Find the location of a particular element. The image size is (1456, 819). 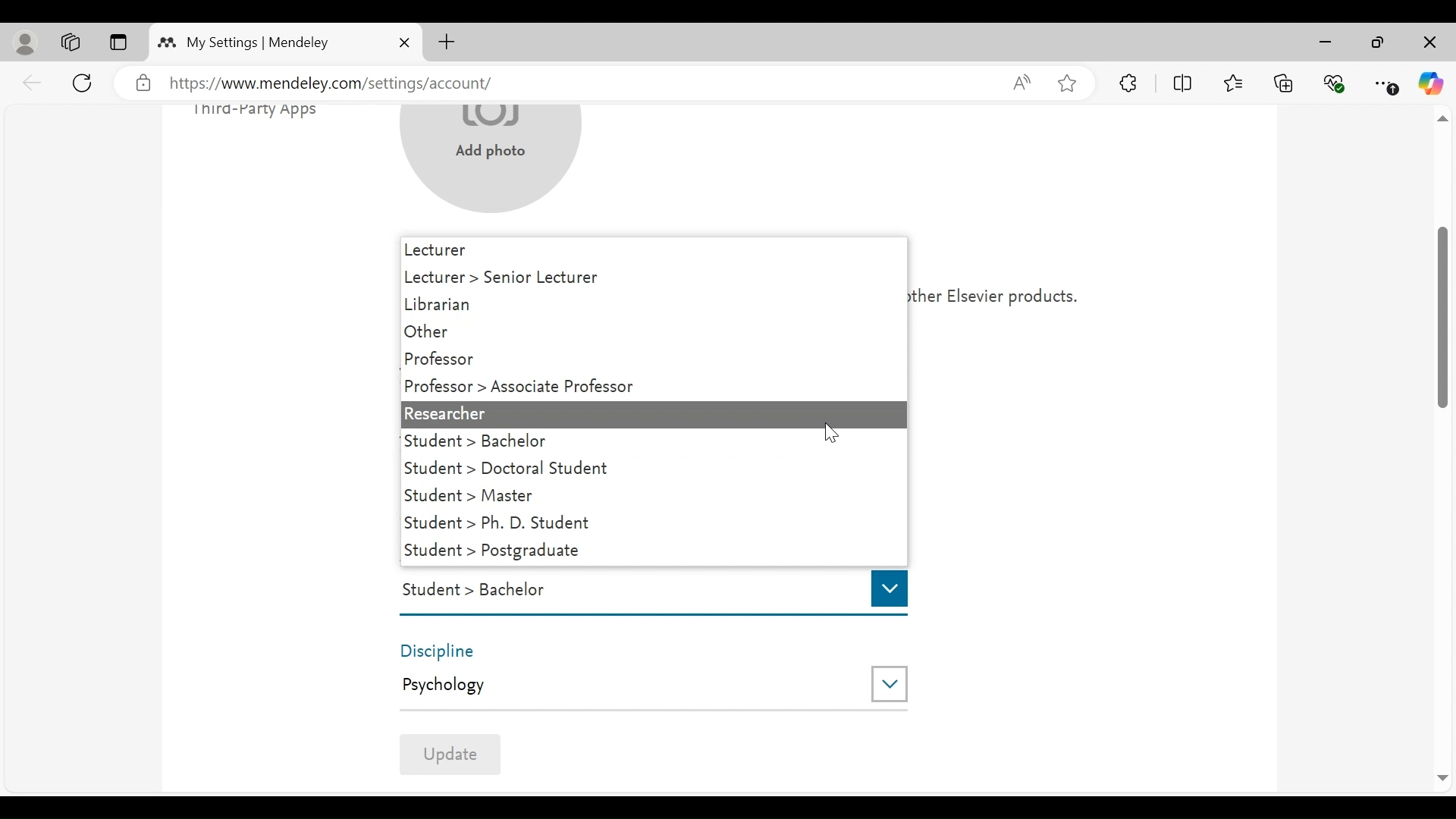

Student > Bachelor is located at coordinates (651, 443).